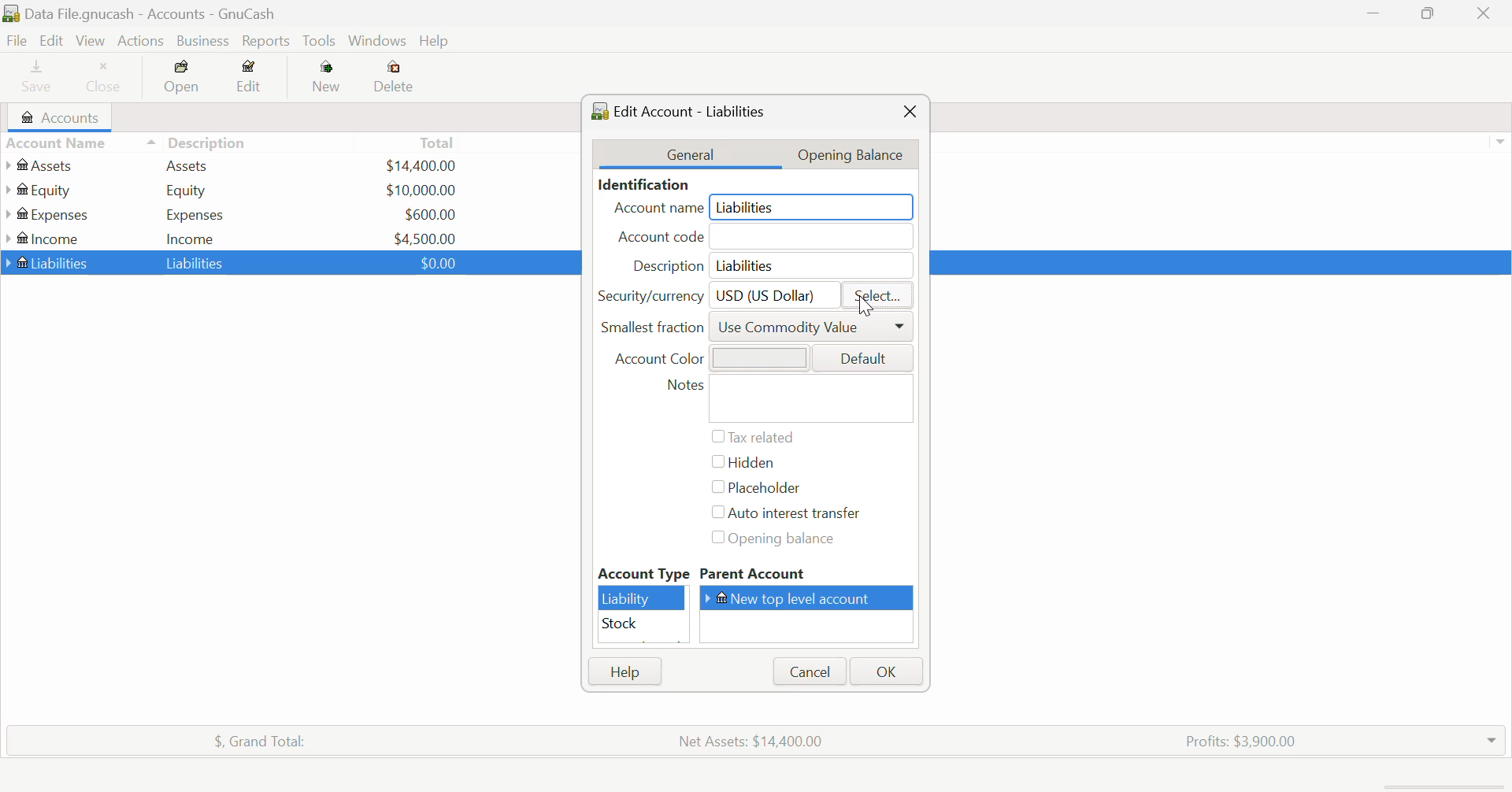 The image size is (1512, 792). I want to click on Liabilities, so click(197, 262).